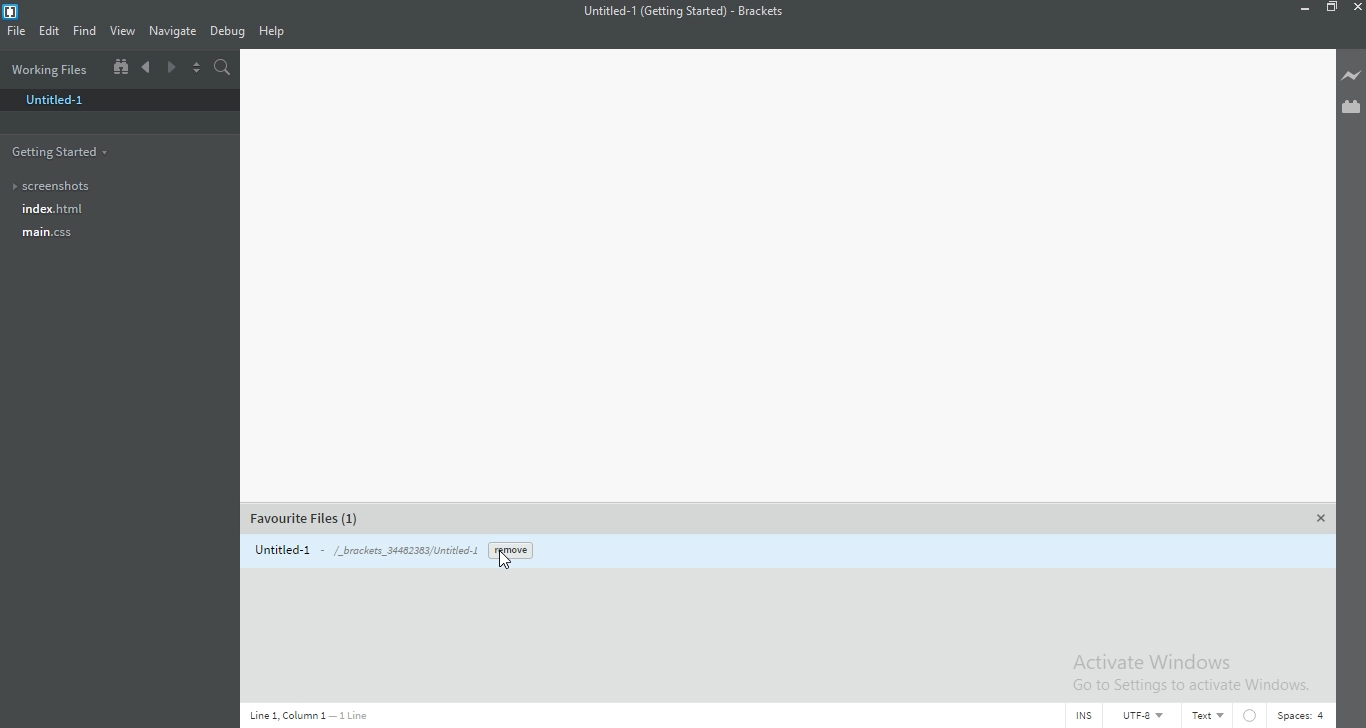  Describe the element at coordinates (231, 32) in the screenshot. I see `Debug` at that location.